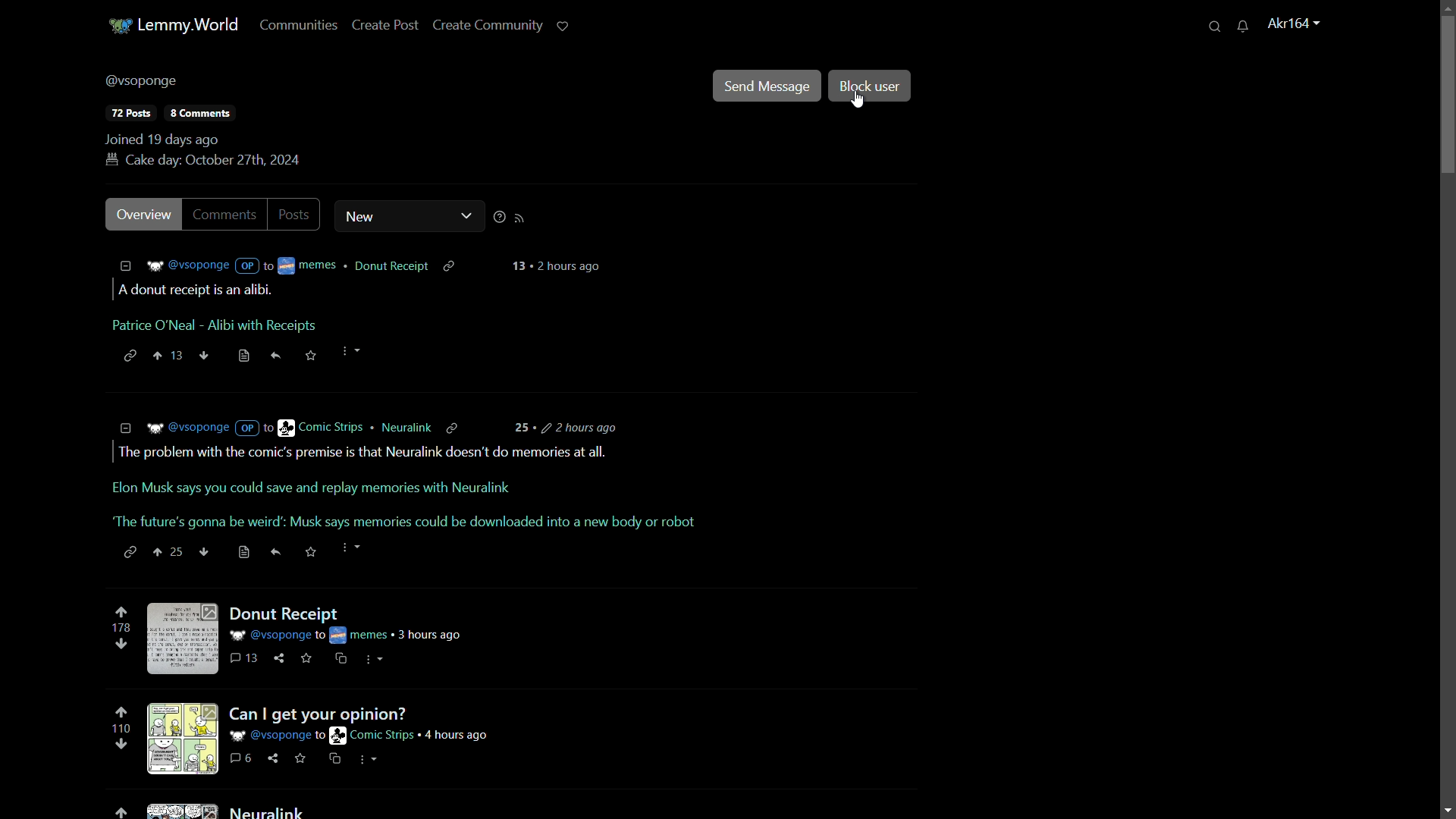 This screenshot has width=1456, height=819. I want to click on comments, so click(241, 759).